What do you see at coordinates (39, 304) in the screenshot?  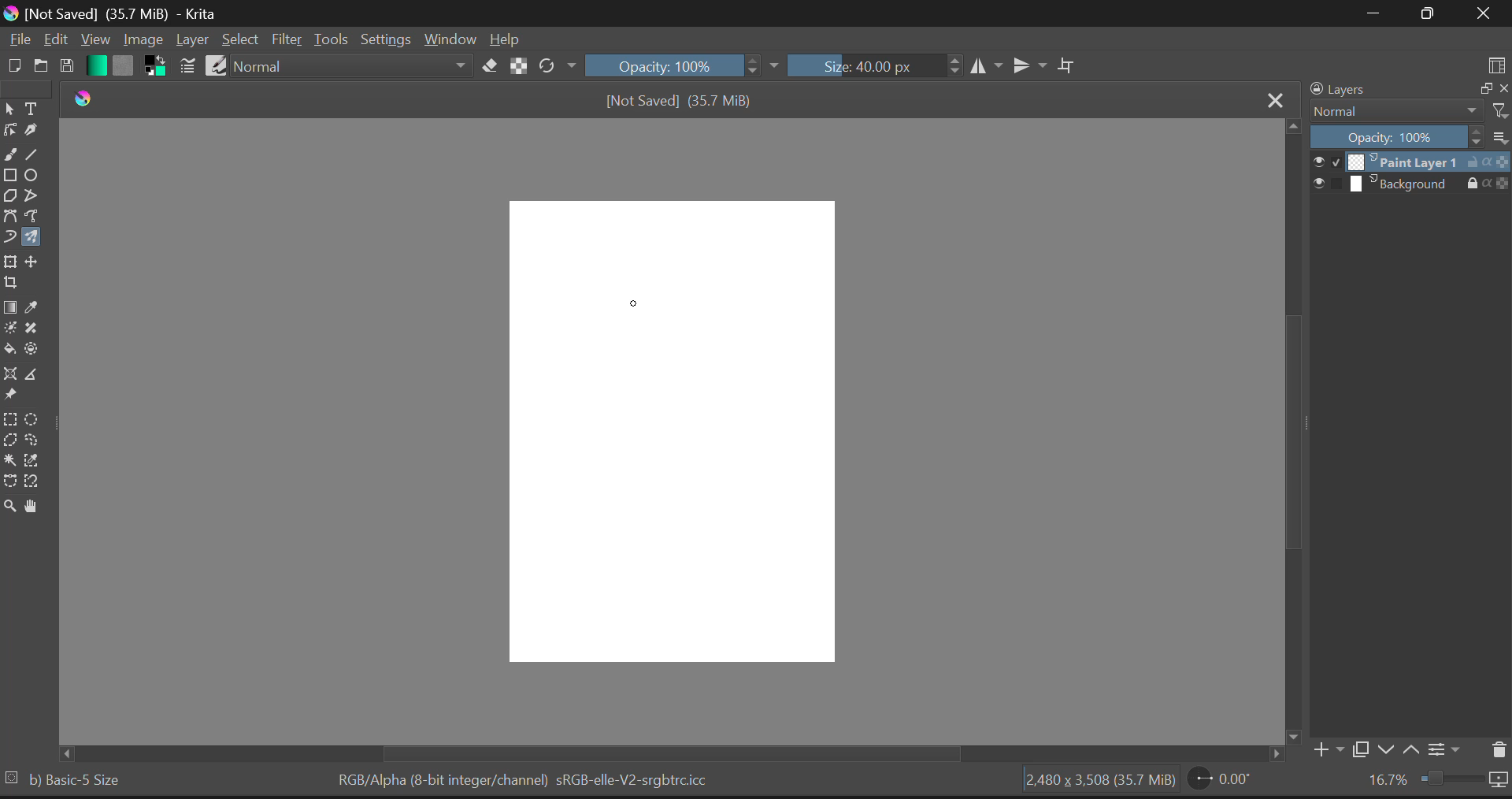 I see `Eyedropper` at bounding box center [39, 304].